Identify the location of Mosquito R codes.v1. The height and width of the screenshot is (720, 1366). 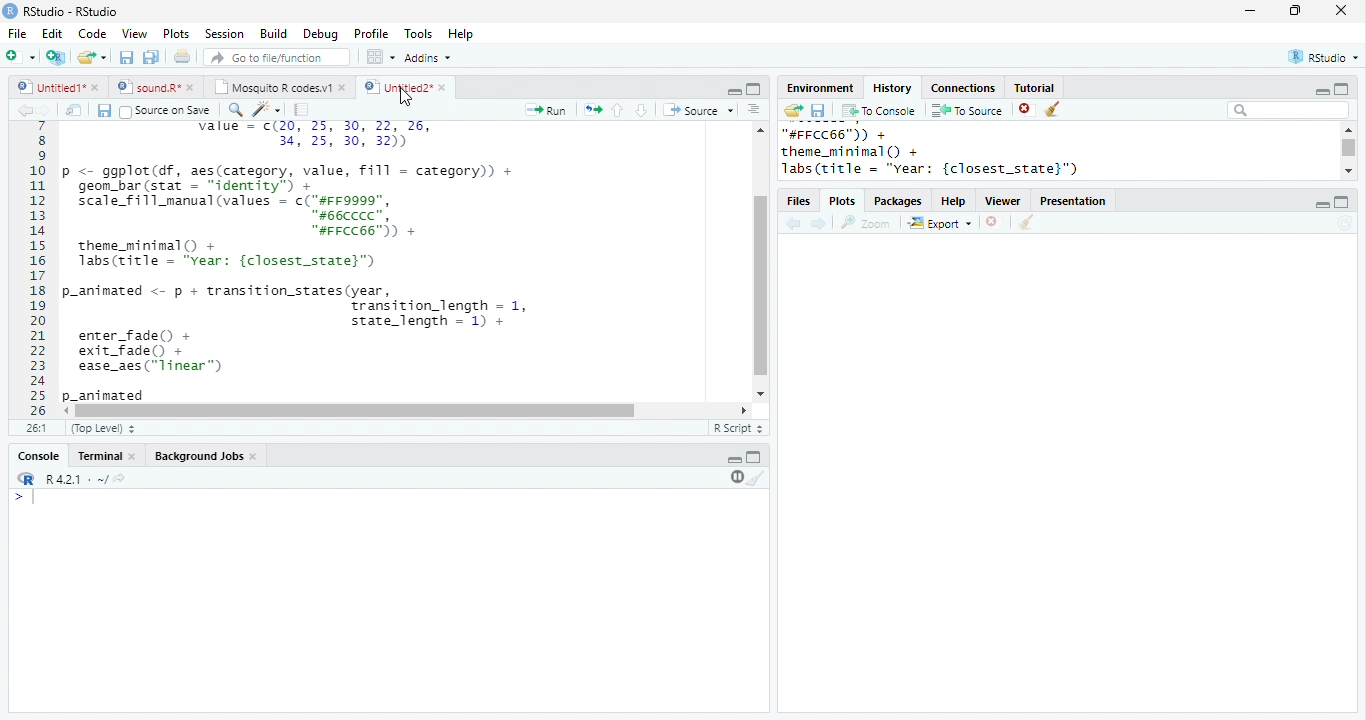
(273, 87).